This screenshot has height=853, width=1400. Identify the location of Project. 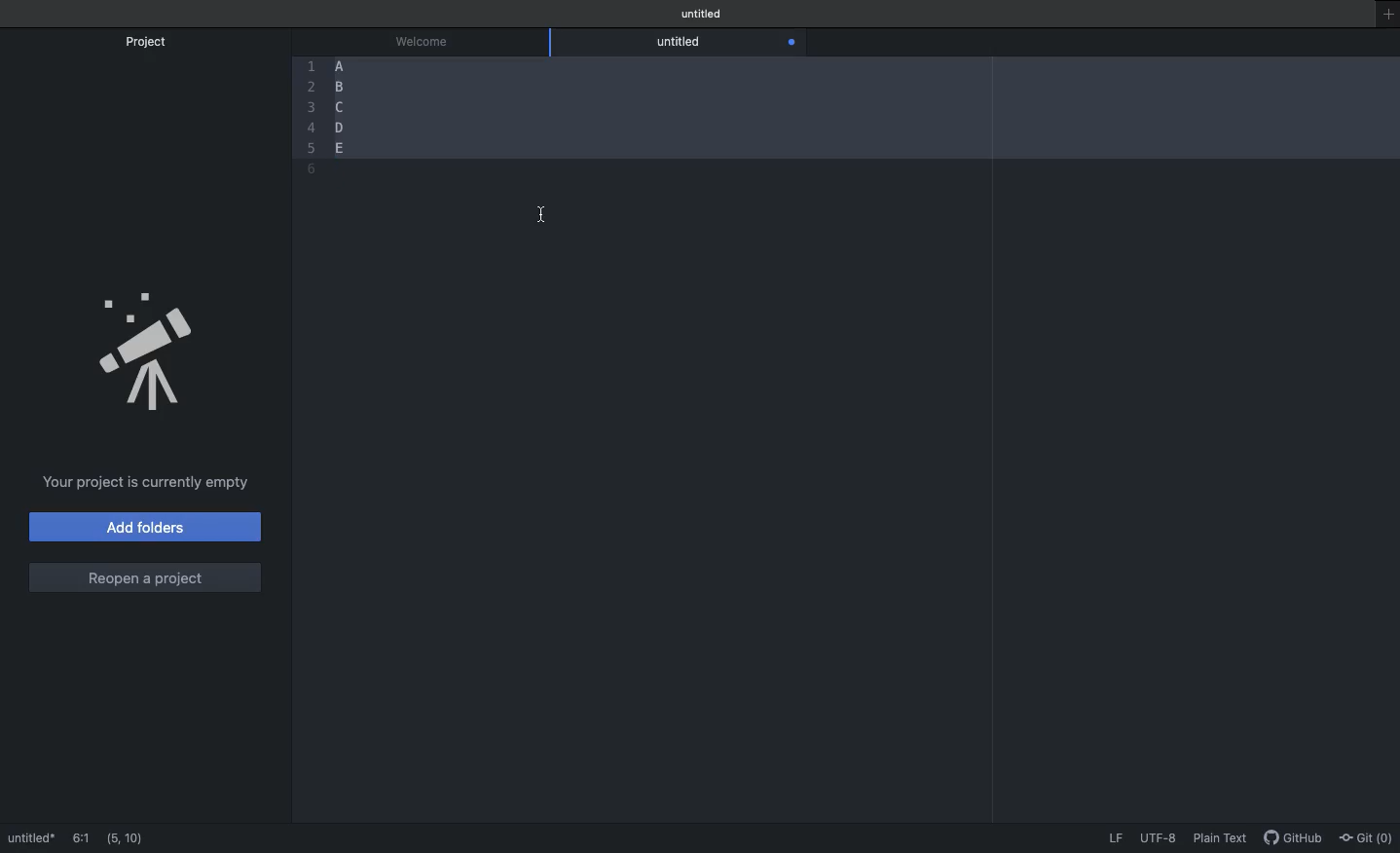
(154, 42).